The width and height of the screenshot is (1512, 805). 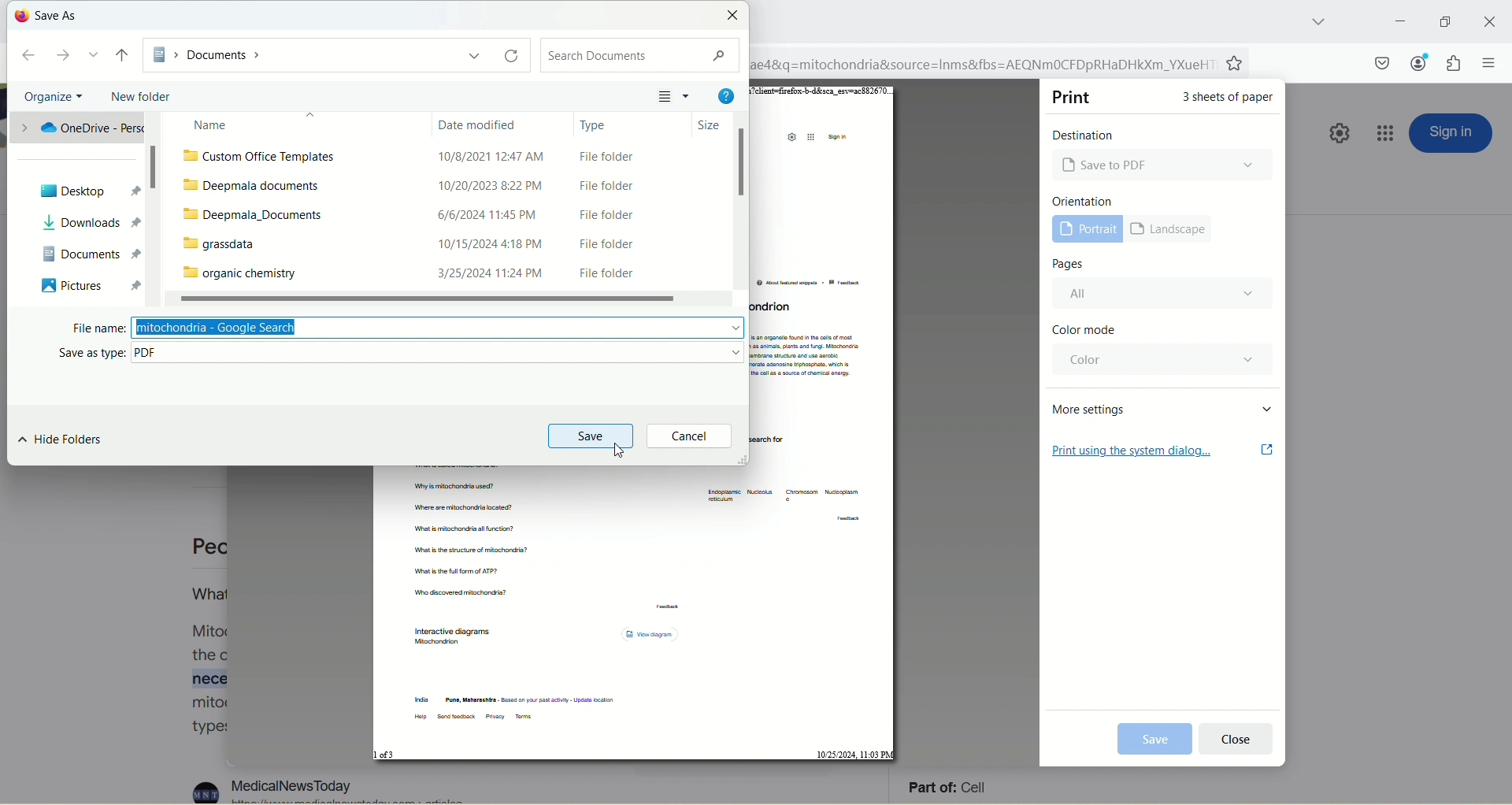 I want to click on color, so click(x=1159, y=359).